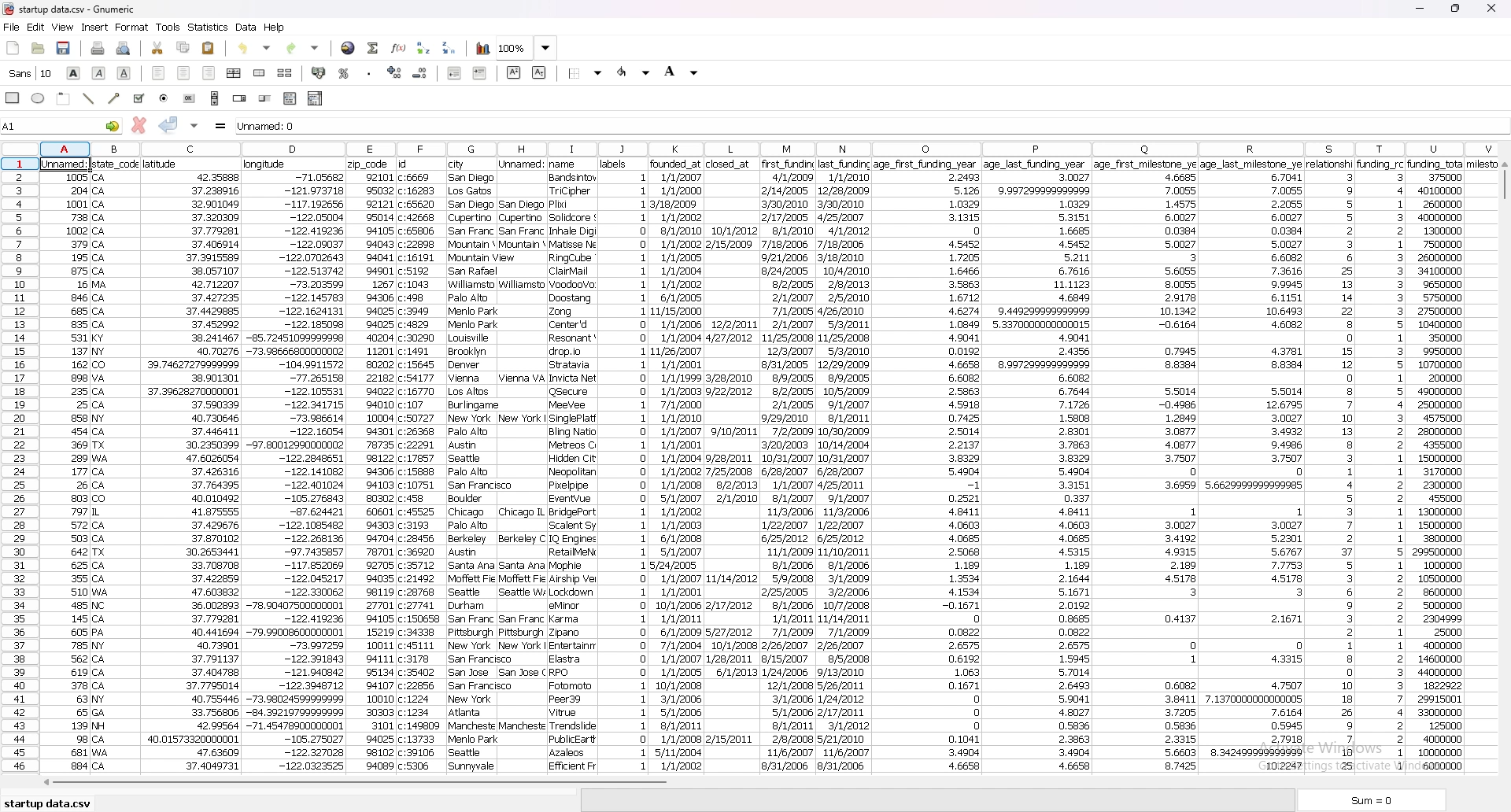 The image size is (1511, 812). Describe the element at coordinates (64, 165) in the screenshot. I see `selected cell` at that location.